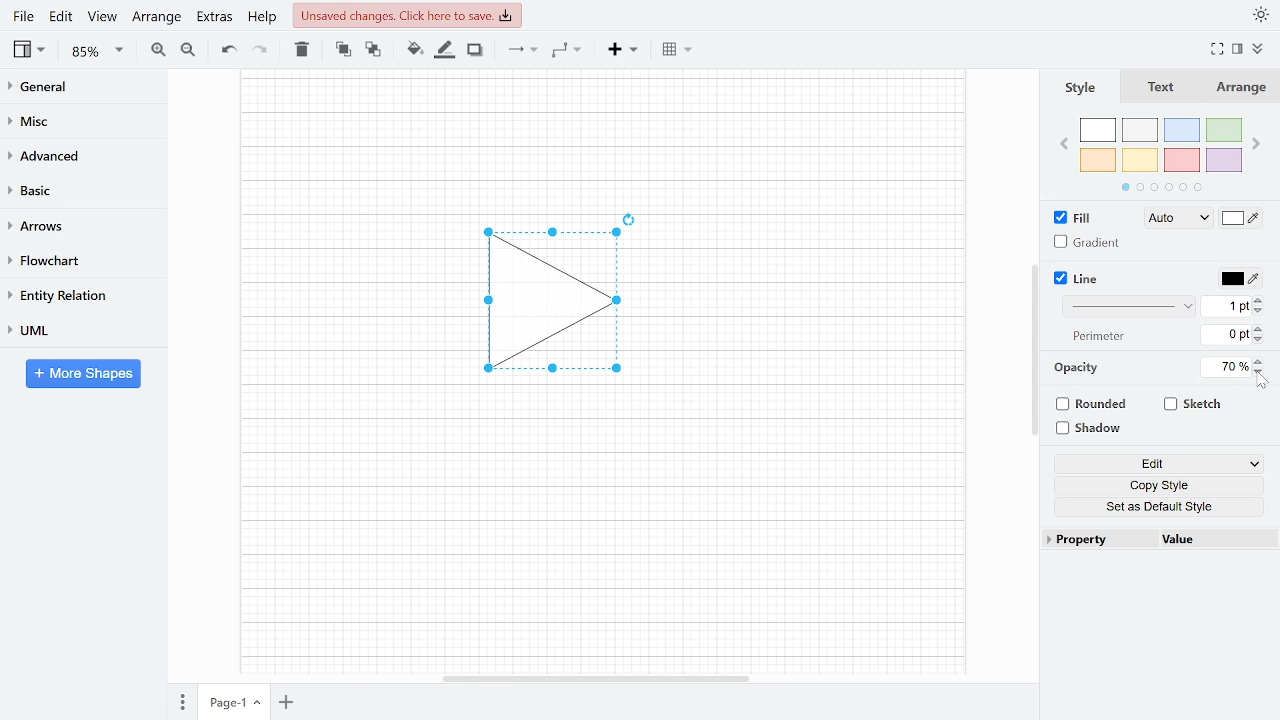 Image resolution: width=1280 pixels, height=720 pixels. Describe the element at coordinates (1182, 161) in the screenshot. I see `red` at that location.